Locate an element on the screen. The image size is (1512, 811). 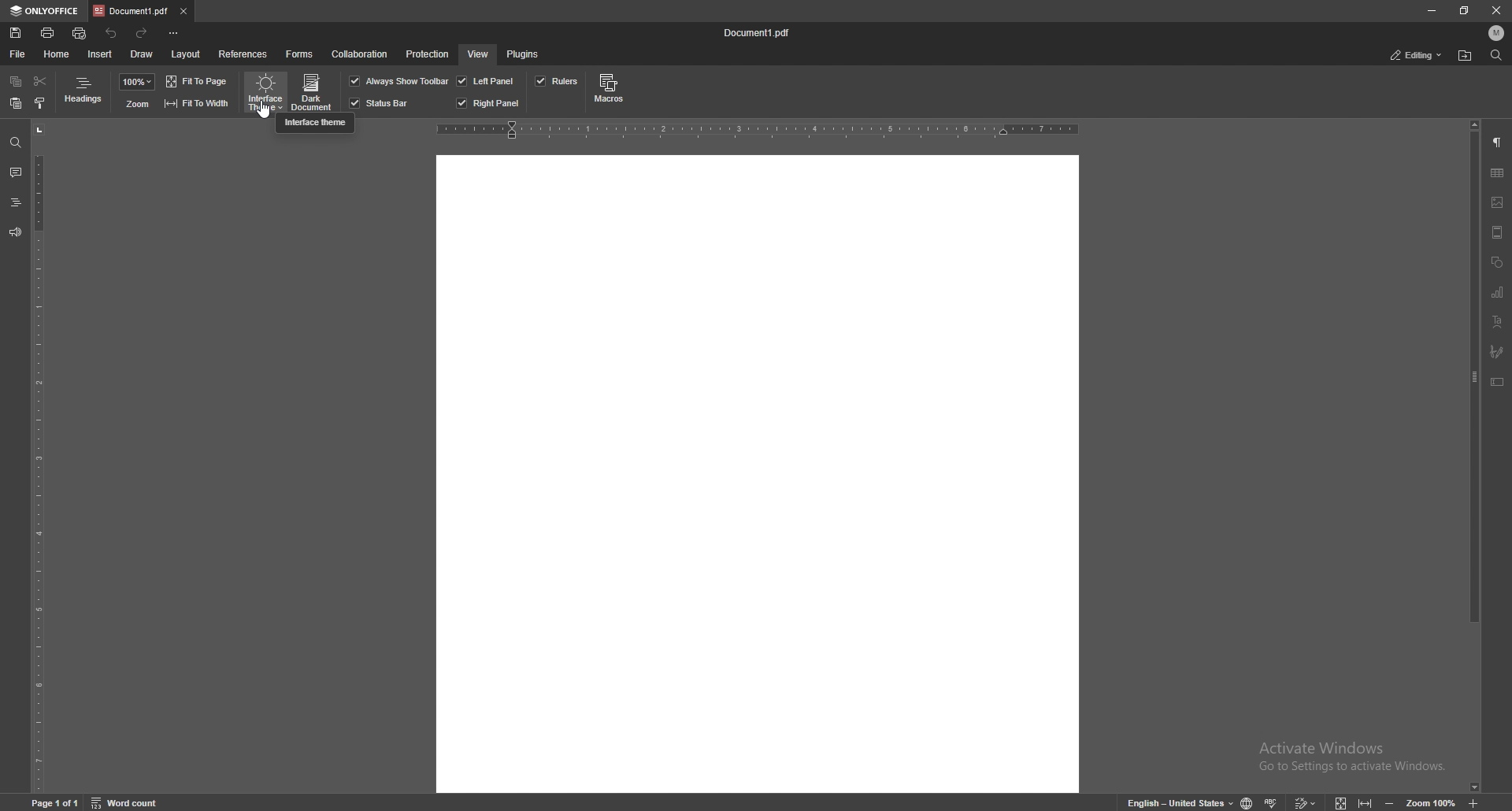
profile is located at coordinates (1497, 33).